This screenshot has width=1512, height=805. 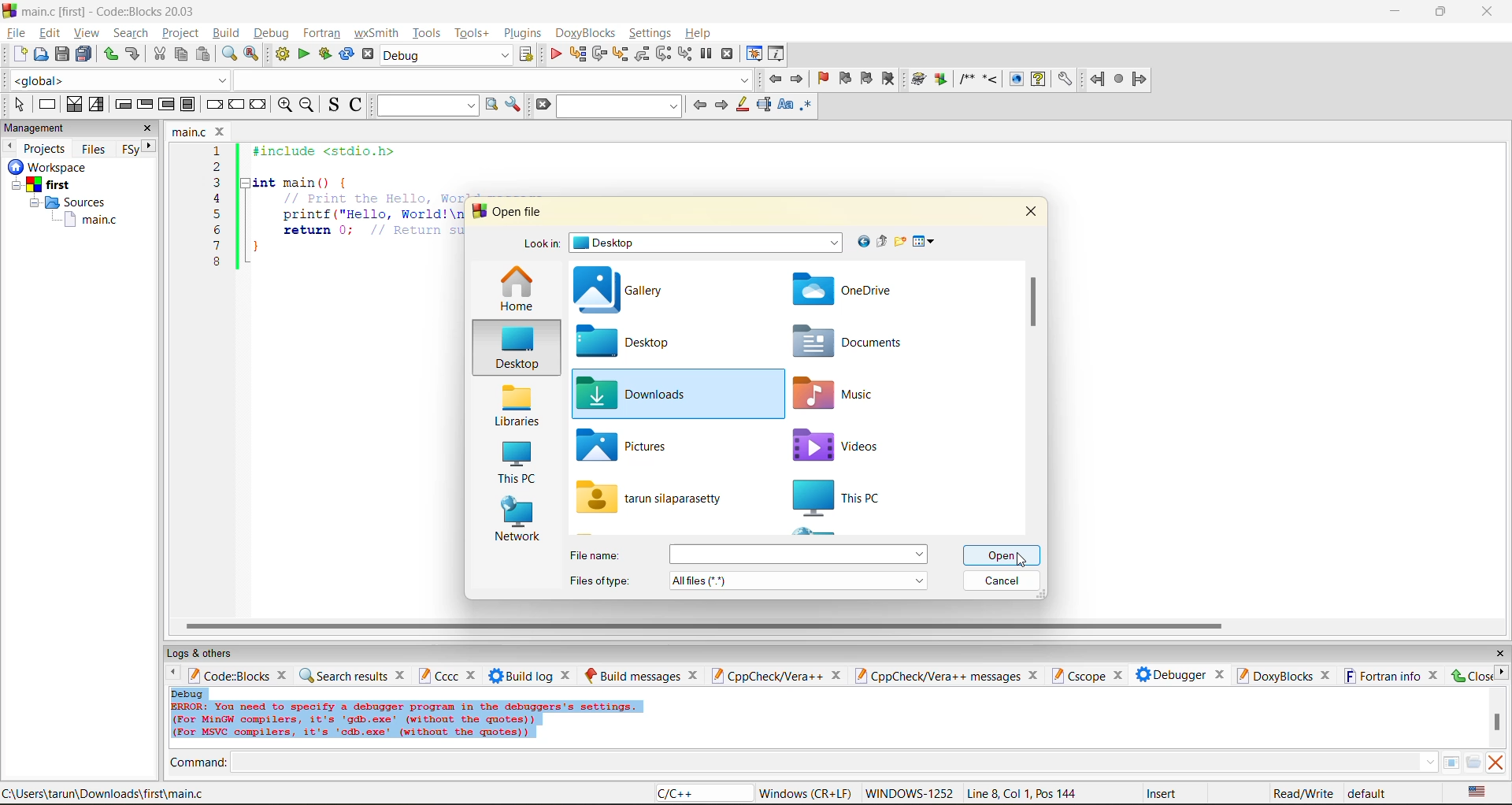 What do you see at coordinates (600, 579) in the screenshot?
I see `file type` at bounding box center [600, 579].